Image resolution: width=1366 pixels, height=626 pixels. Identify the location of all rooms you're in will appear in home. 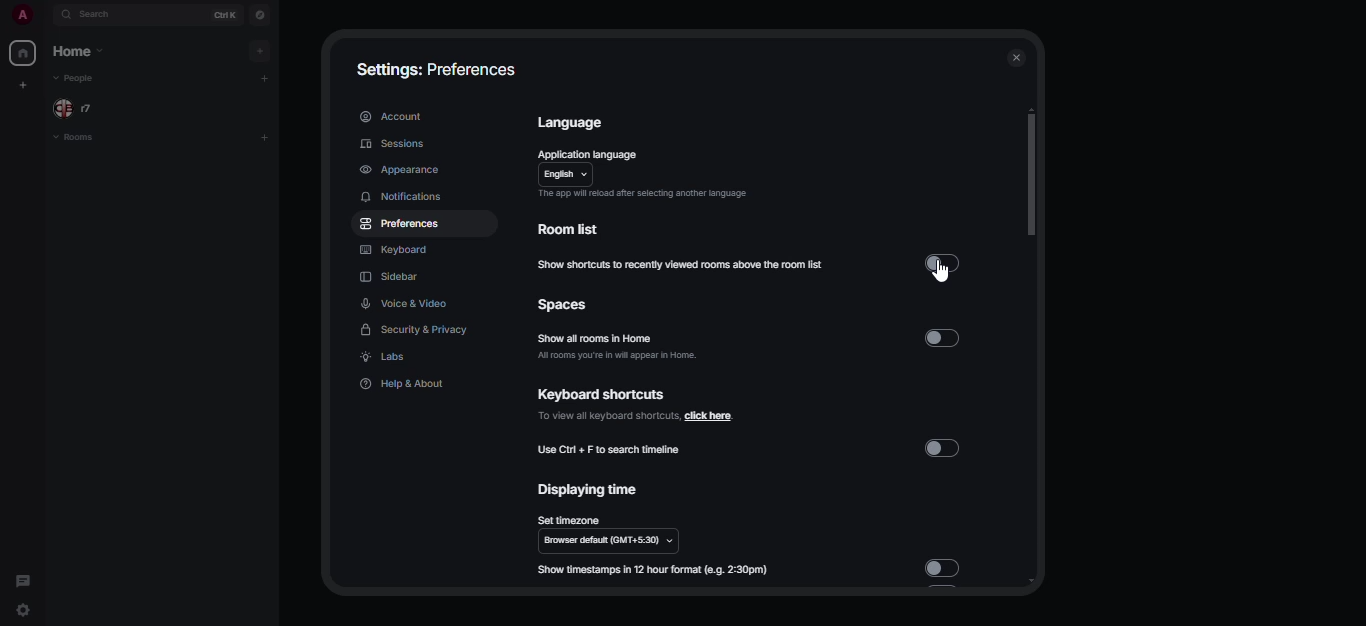
(626, 357).